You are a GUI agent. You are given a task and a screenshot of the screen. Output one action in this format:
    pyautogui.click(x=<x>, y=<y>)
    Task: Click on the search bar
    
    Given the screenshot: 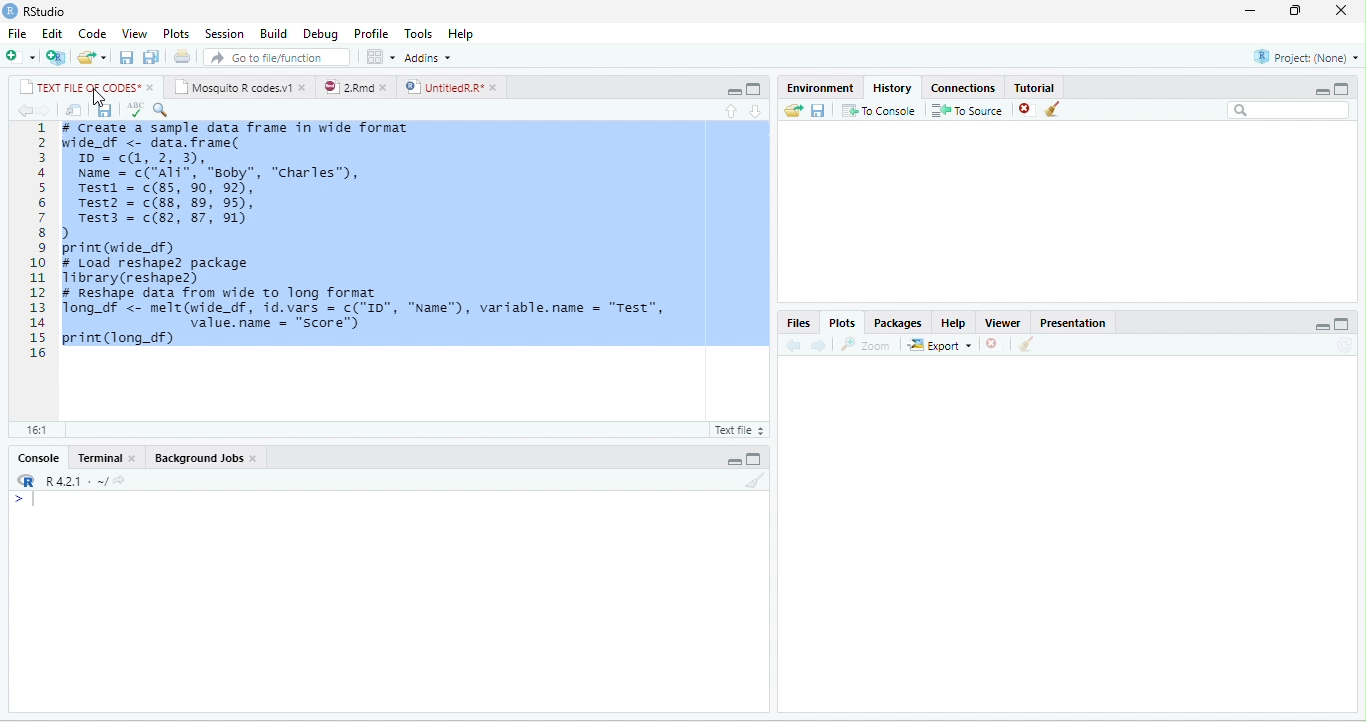 What is the action you would take?
    pyautogui.click(x=1290, y=110)
    